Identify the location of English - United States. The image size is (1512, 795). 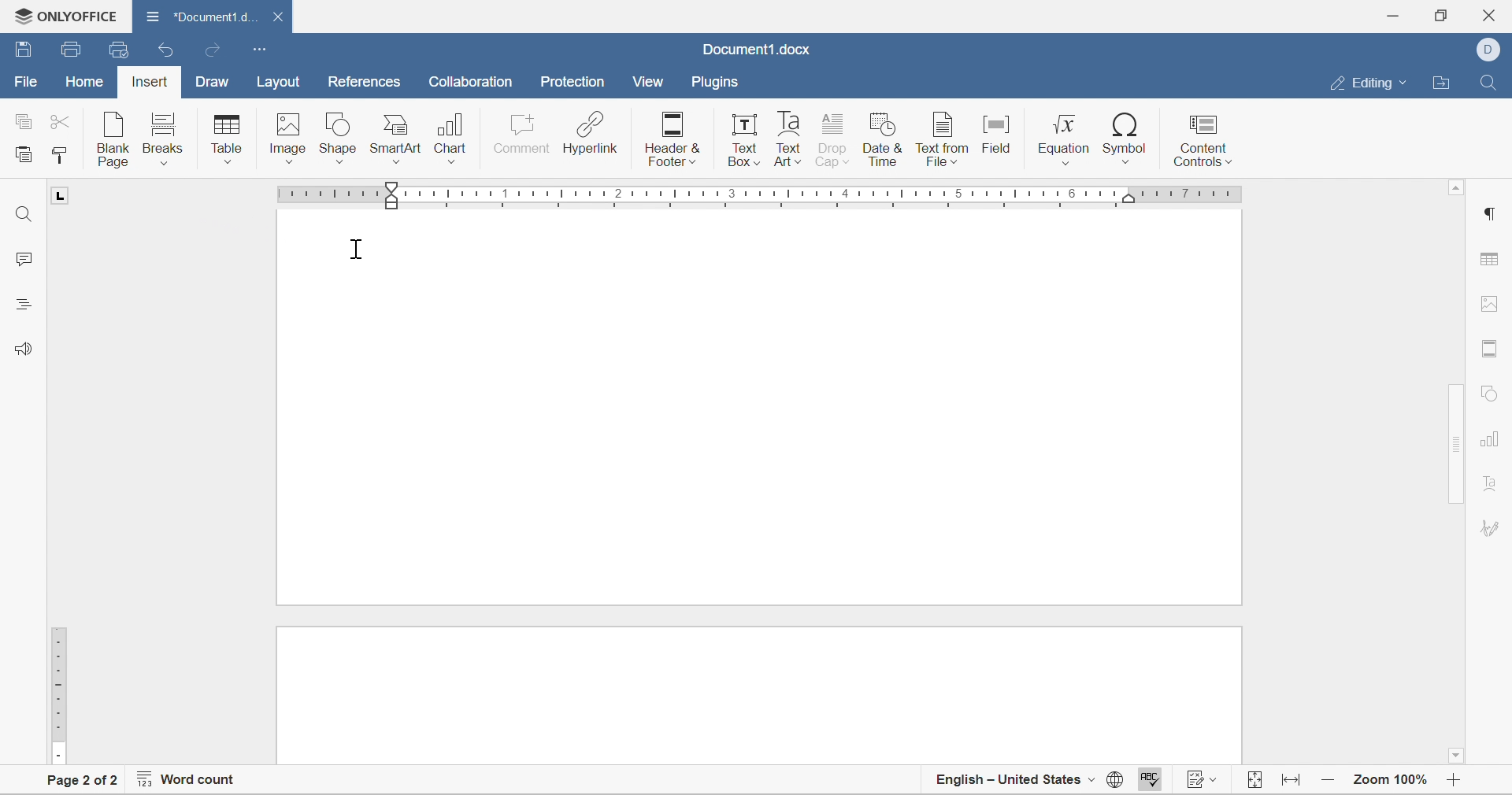
(1014, 784).